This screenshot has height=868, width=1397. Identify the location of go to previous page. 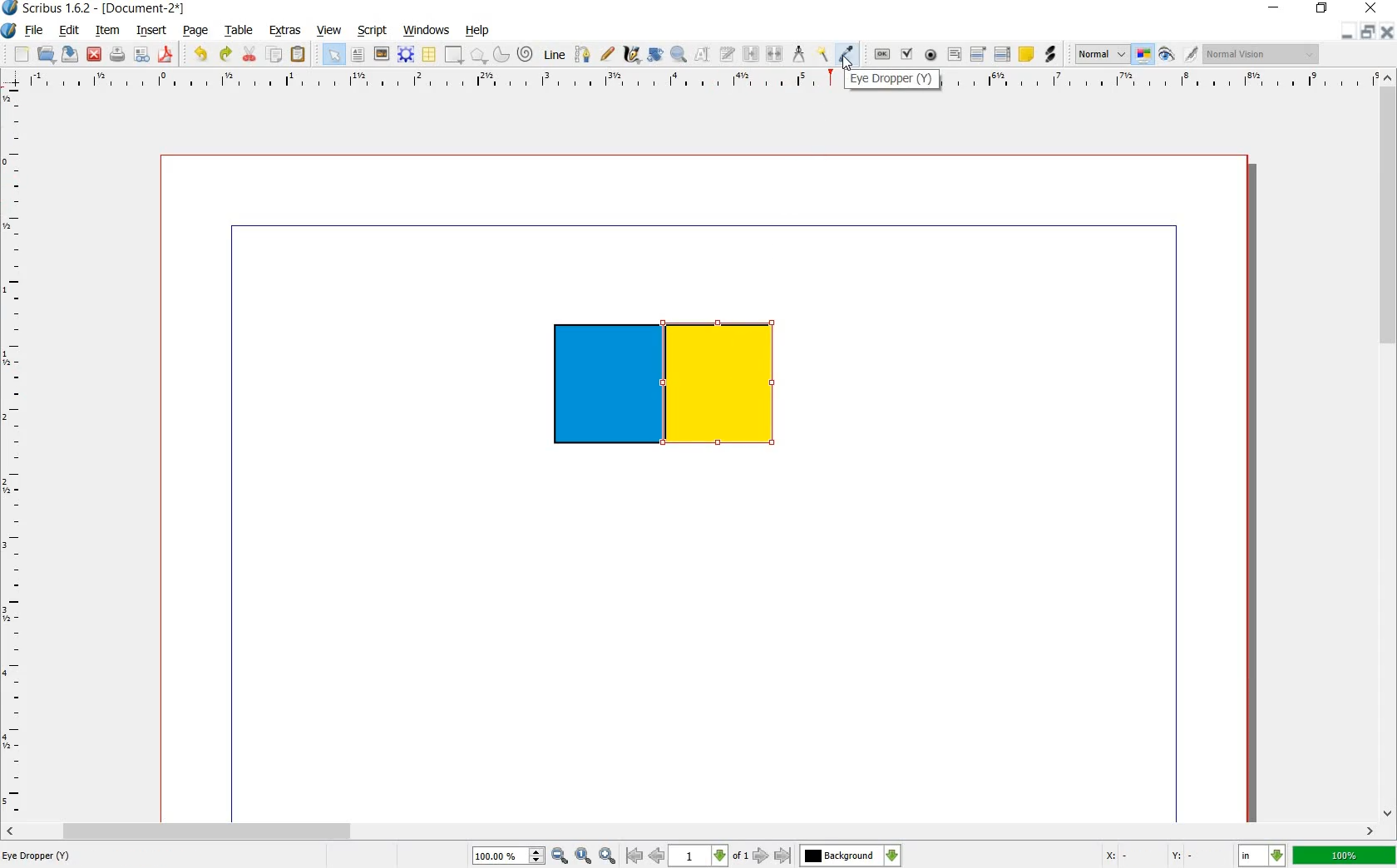
(658, 856).